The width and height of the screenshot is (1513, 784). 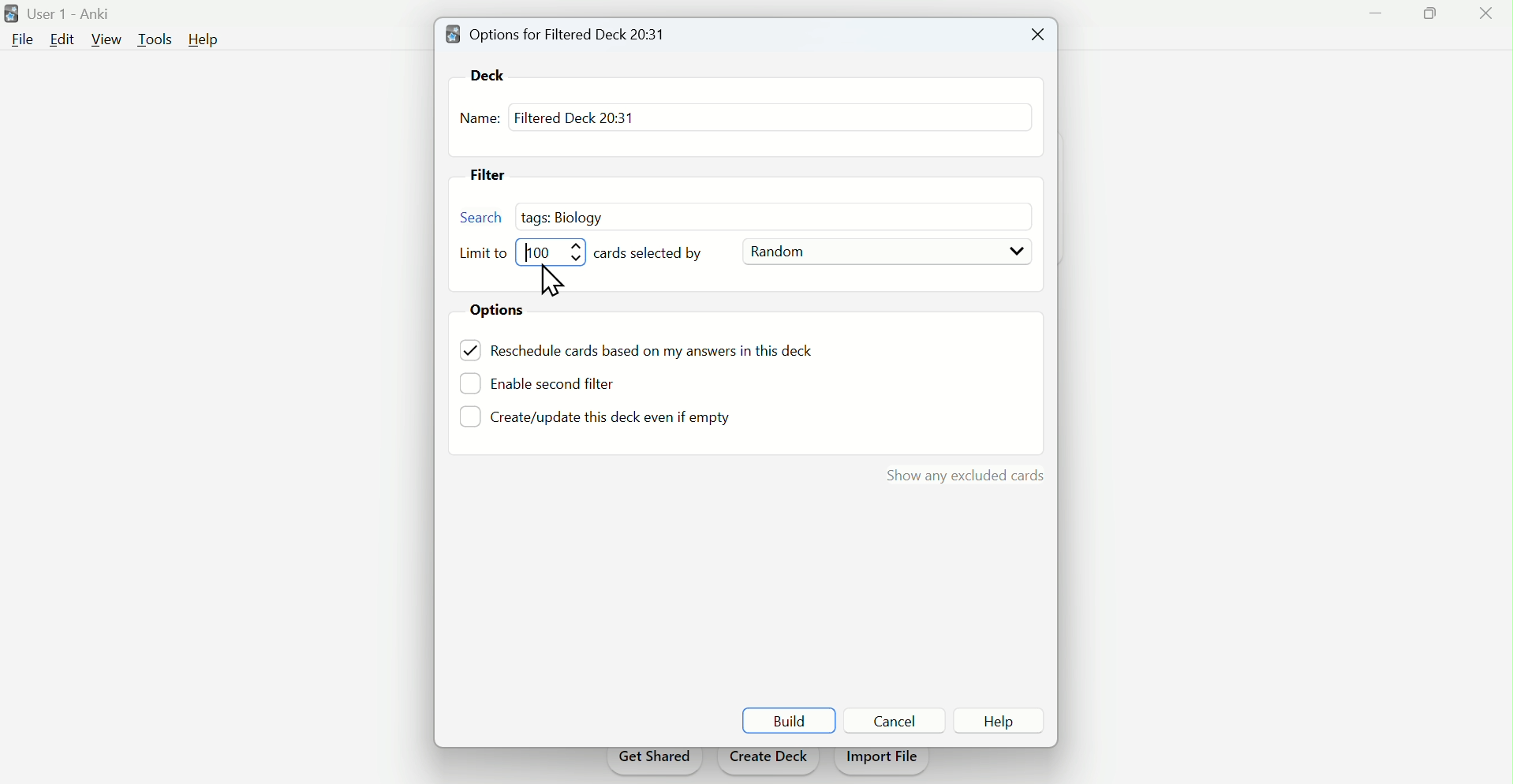 I want to click on Random, so click(x=886, y=252).